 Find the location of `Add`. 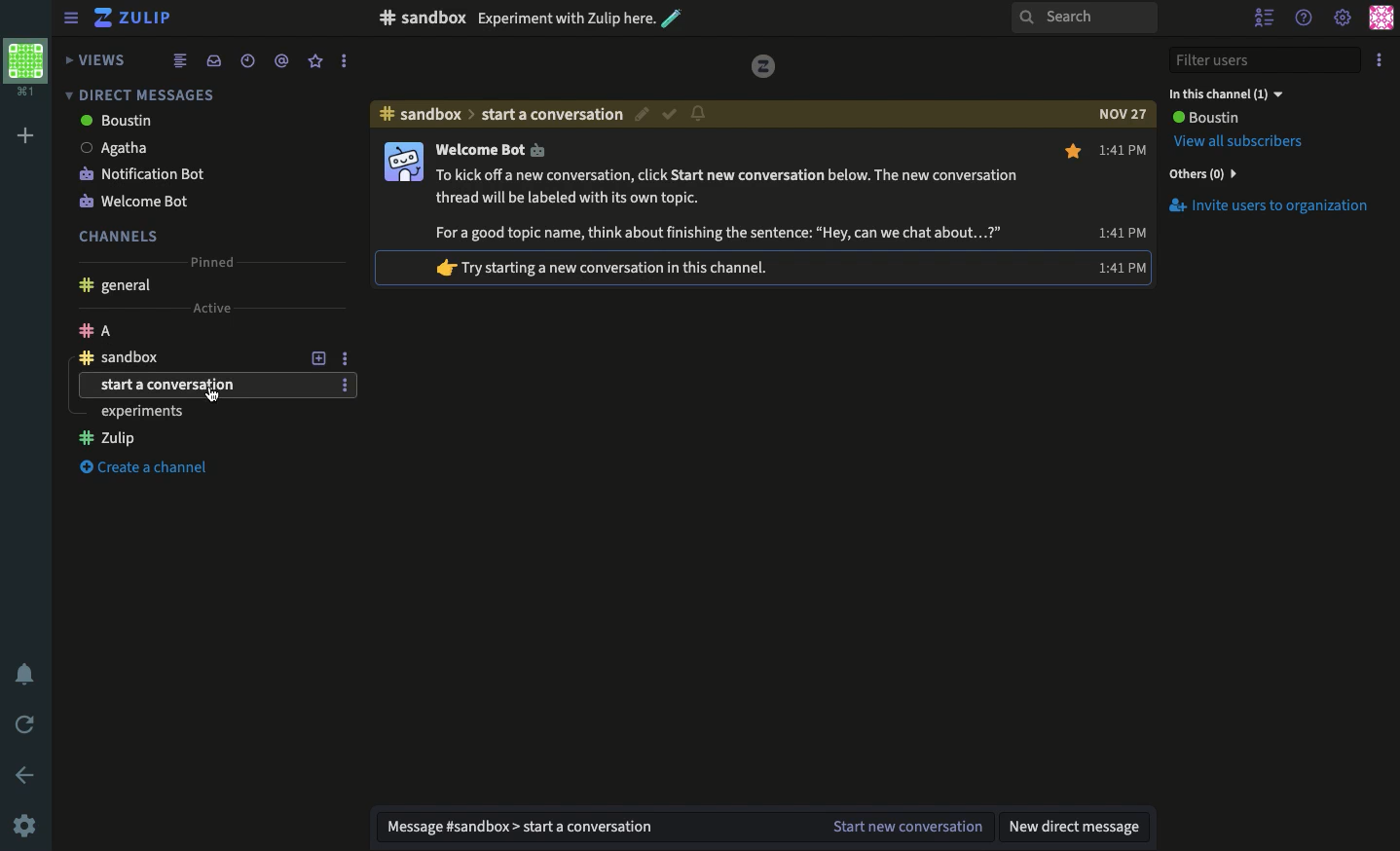

Add is located at coordinates (26, 136).